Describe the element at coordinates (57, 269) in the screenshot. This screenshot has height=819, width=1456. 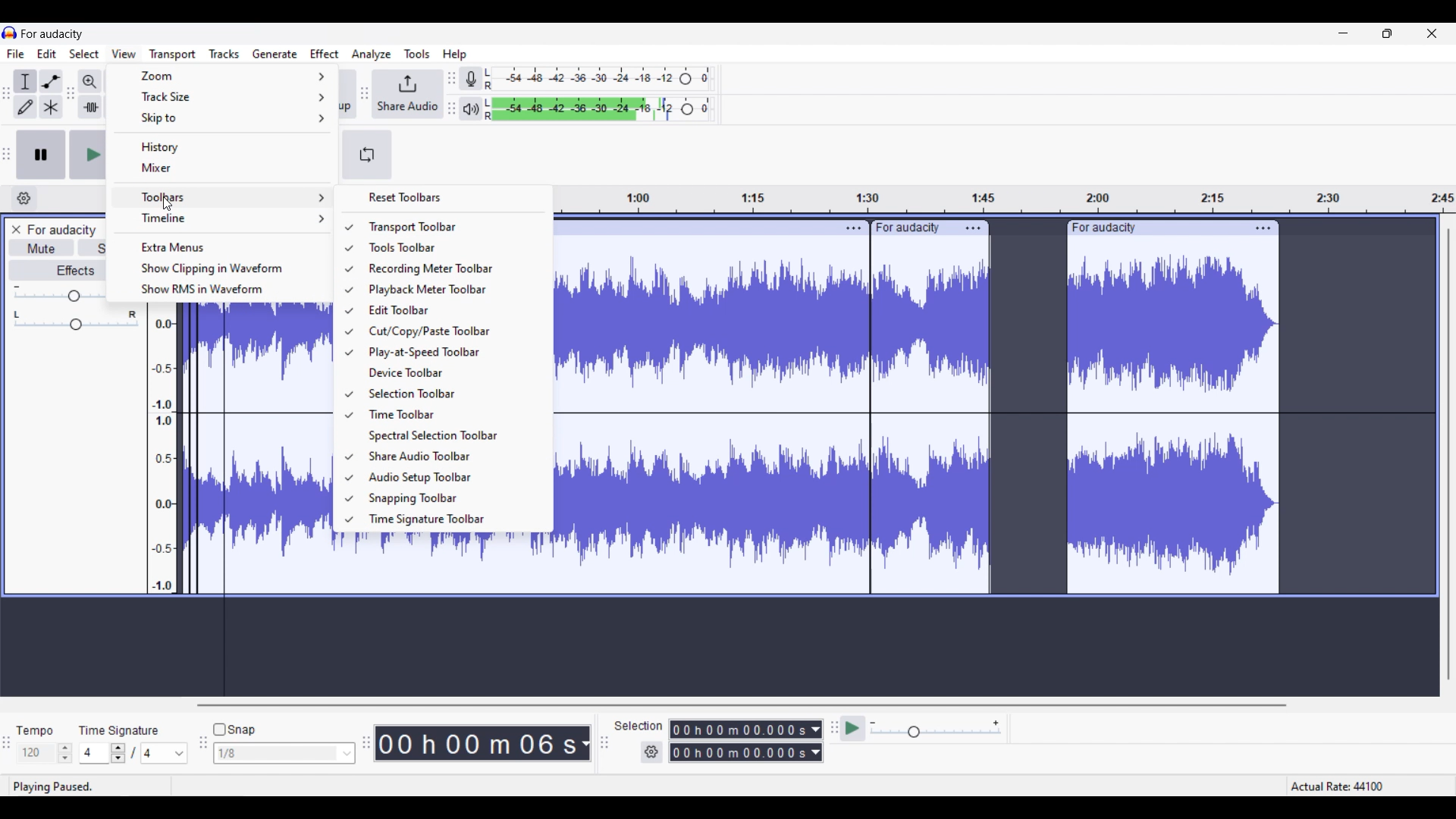
I see `Effects` at that location.